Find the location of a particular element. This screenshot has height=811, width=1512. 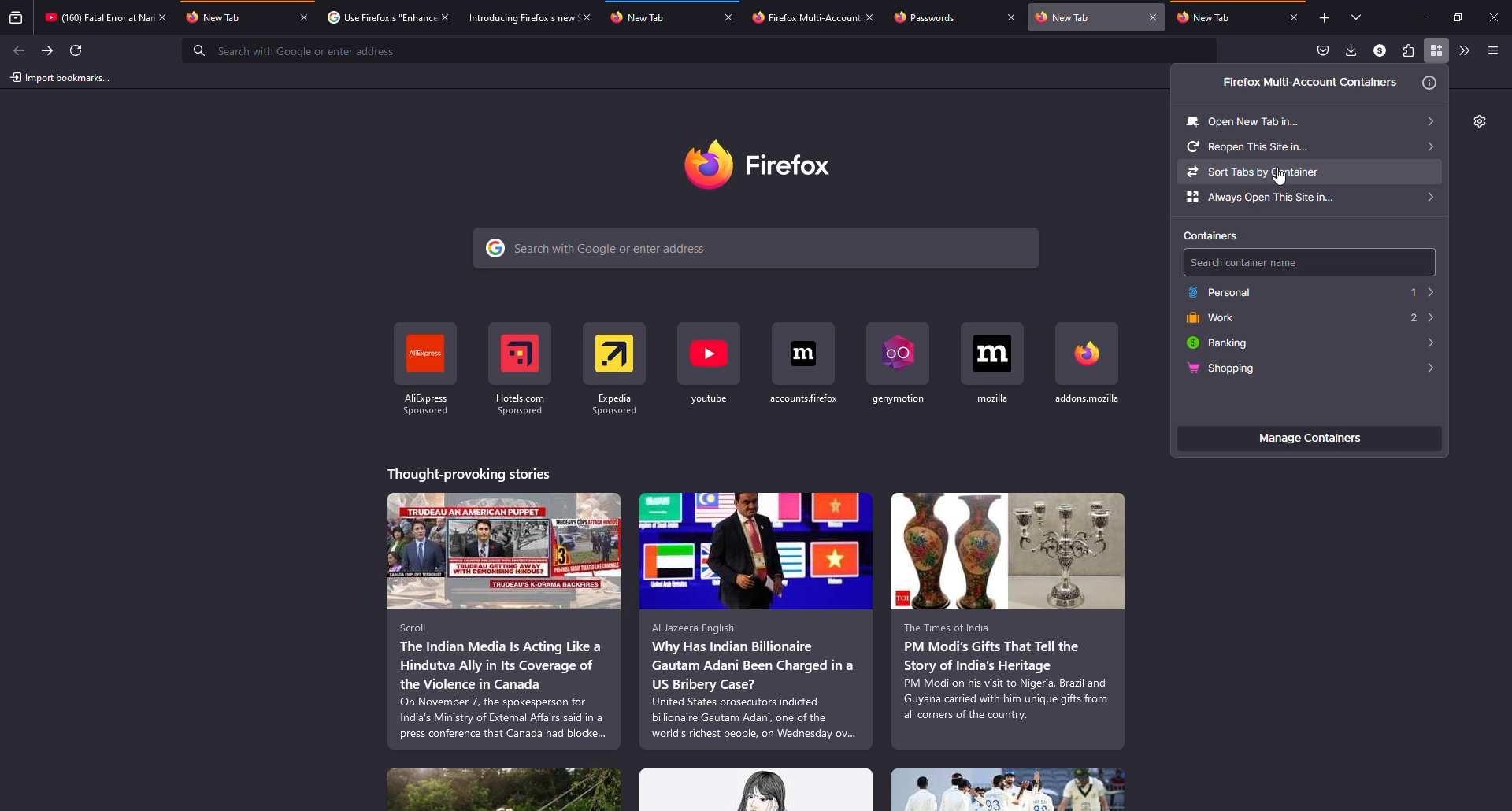

refresh is located at coordinates (79, 50).